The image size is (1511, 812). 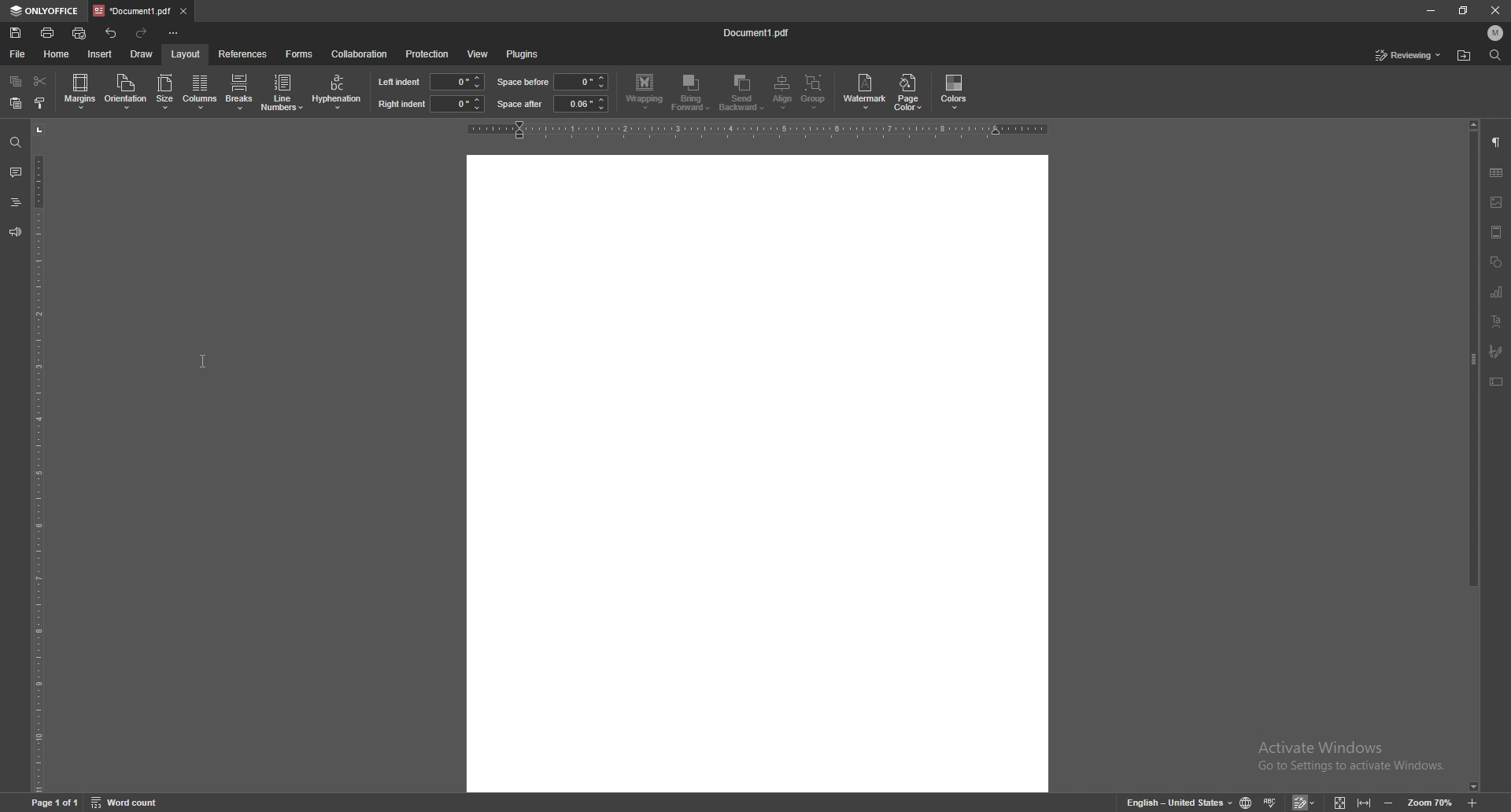 What do you see at coordinates (477, 55) in the screenshot?
I see `view` at bounding box center [477, 55].